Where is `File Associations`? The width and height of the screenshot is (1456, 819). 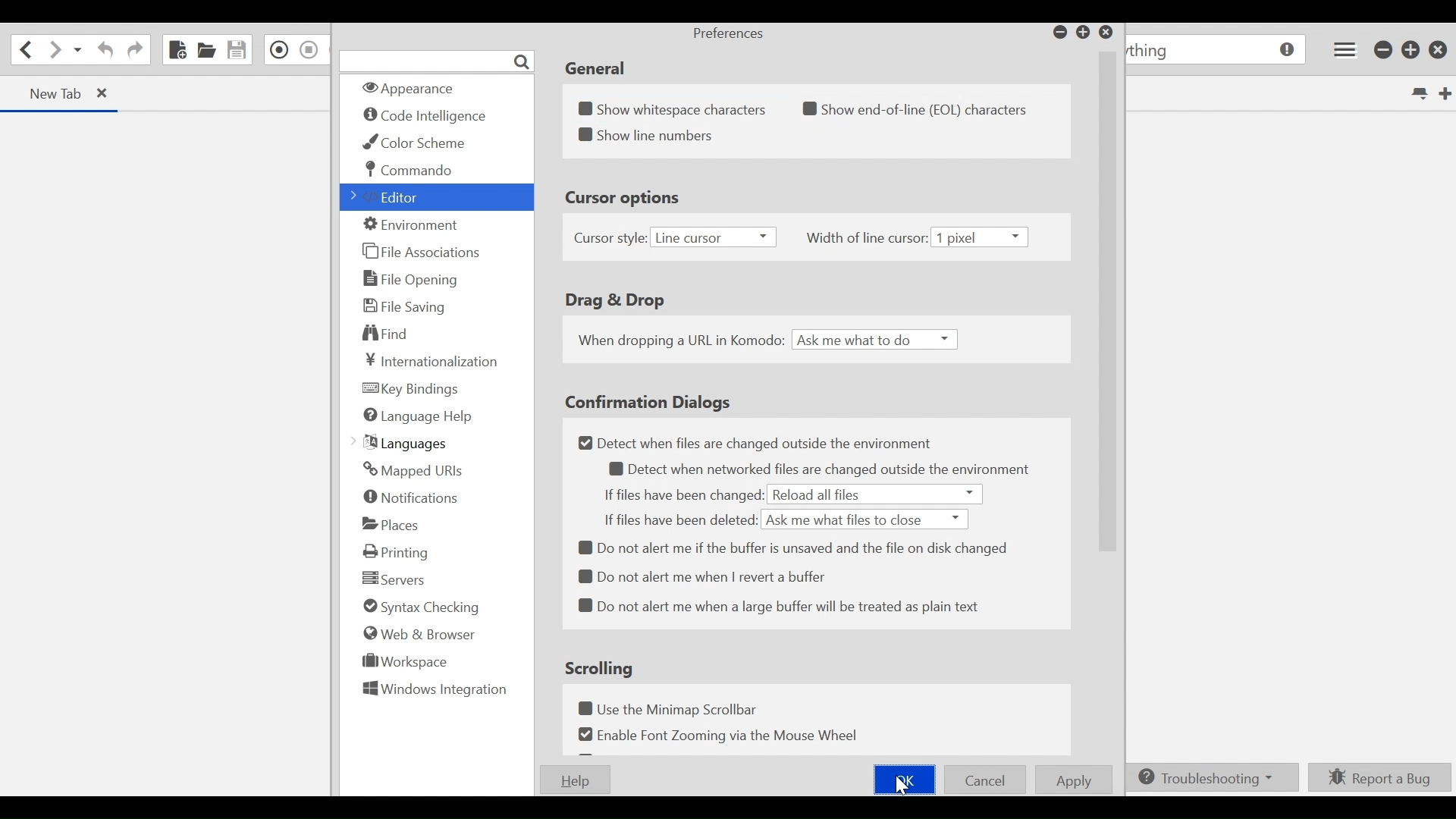
File Associations is located at coordinates (421, 250).